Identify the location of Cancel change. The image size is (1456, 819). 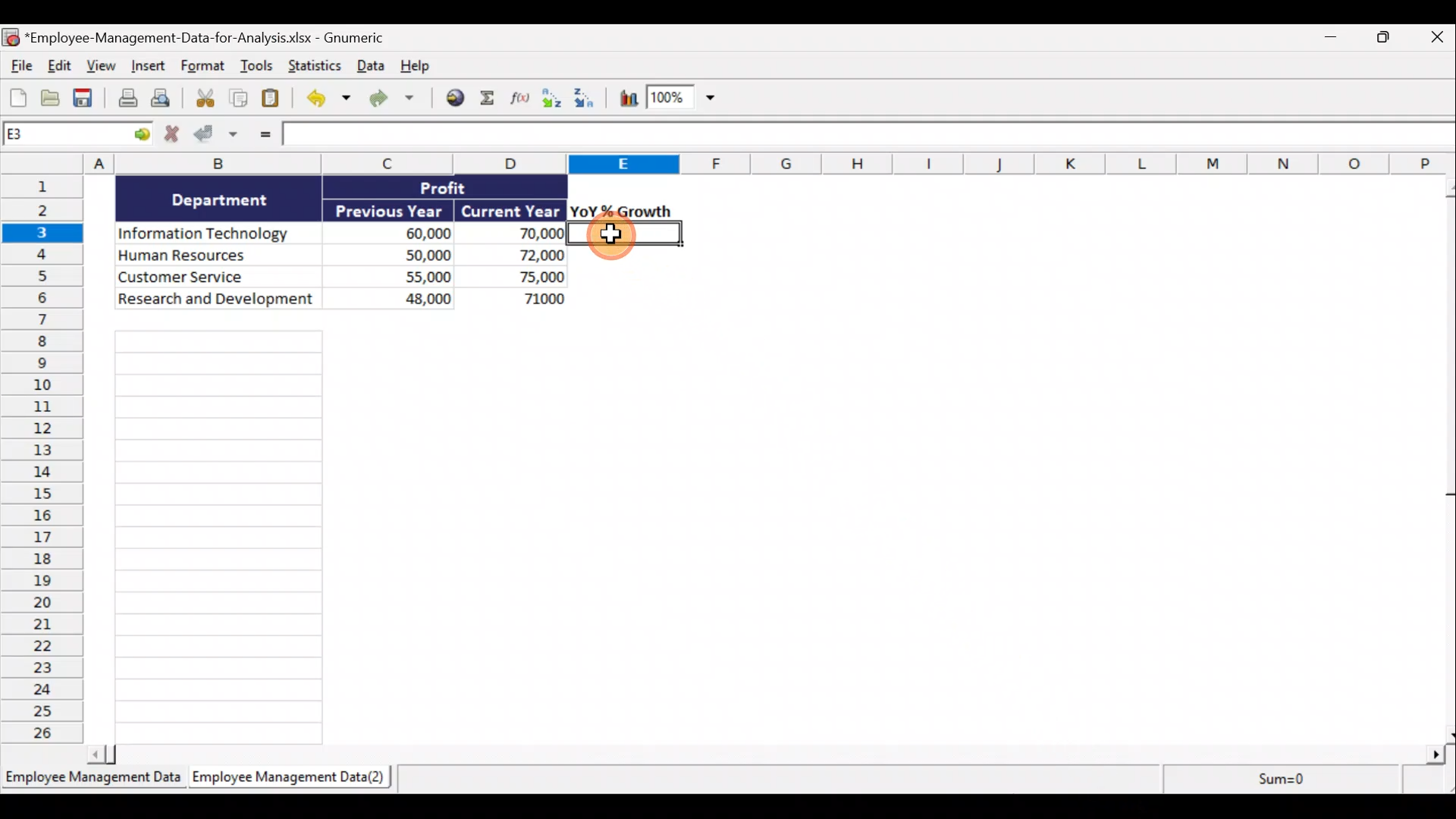
(174, 134).